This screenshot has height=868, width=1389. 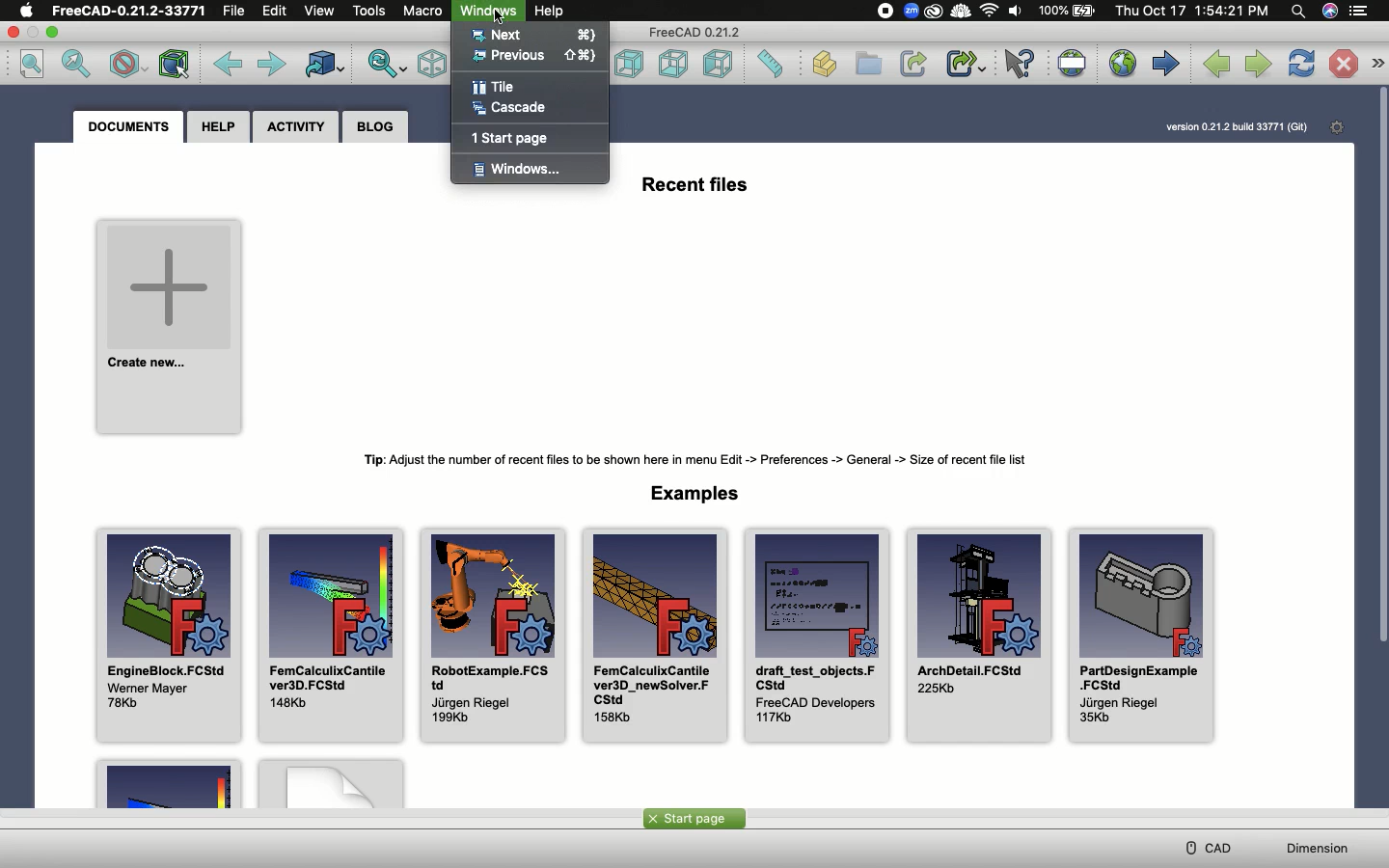 What do you see at coordinates (1071, 64) in the screenshot?
I see `Set URL` at bounding box center [1071, 64].